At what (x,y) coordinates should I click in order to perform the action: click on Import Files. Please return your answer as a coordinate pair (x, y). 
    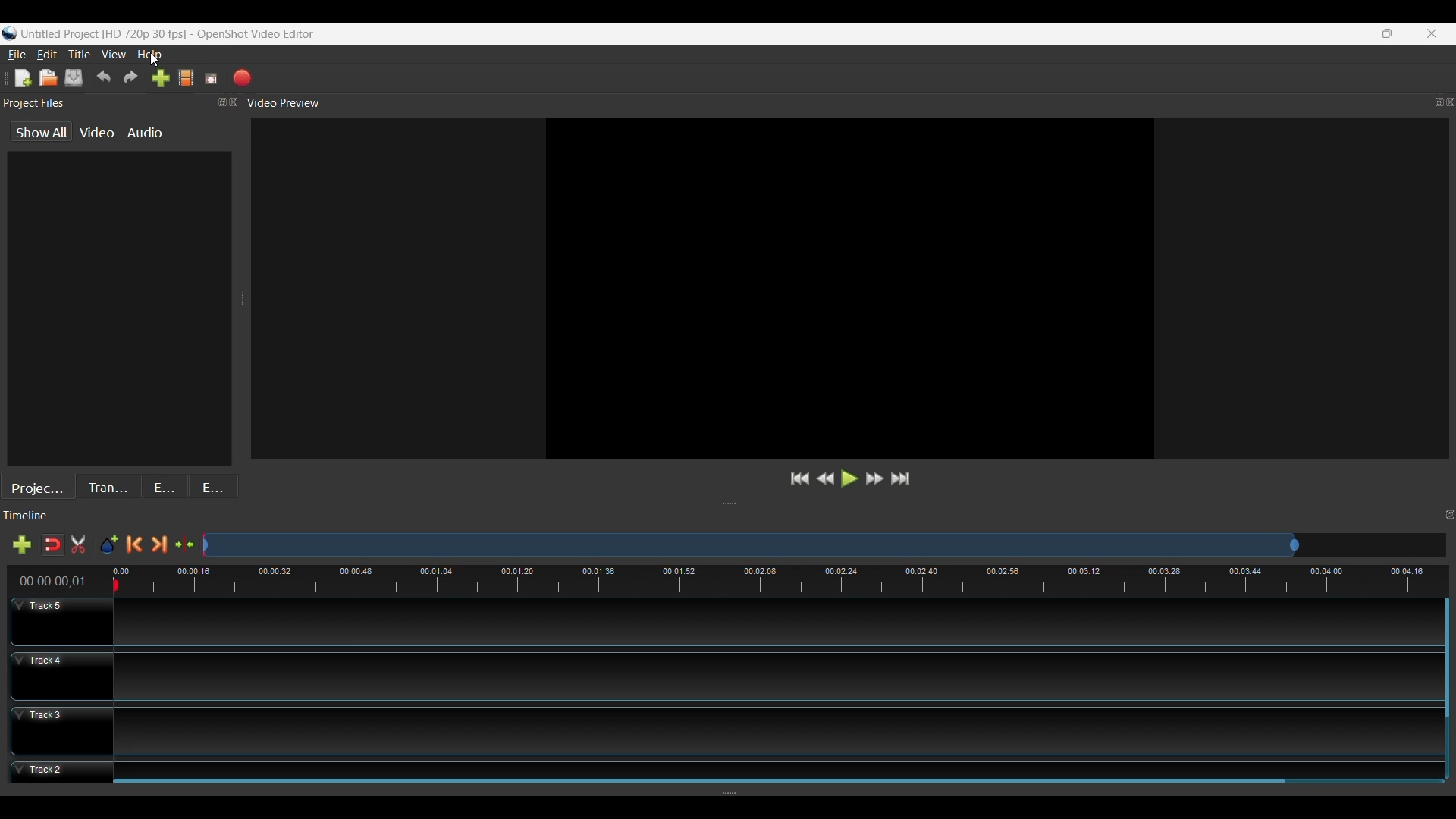
    Looking at the image, I should click on (158, 78).